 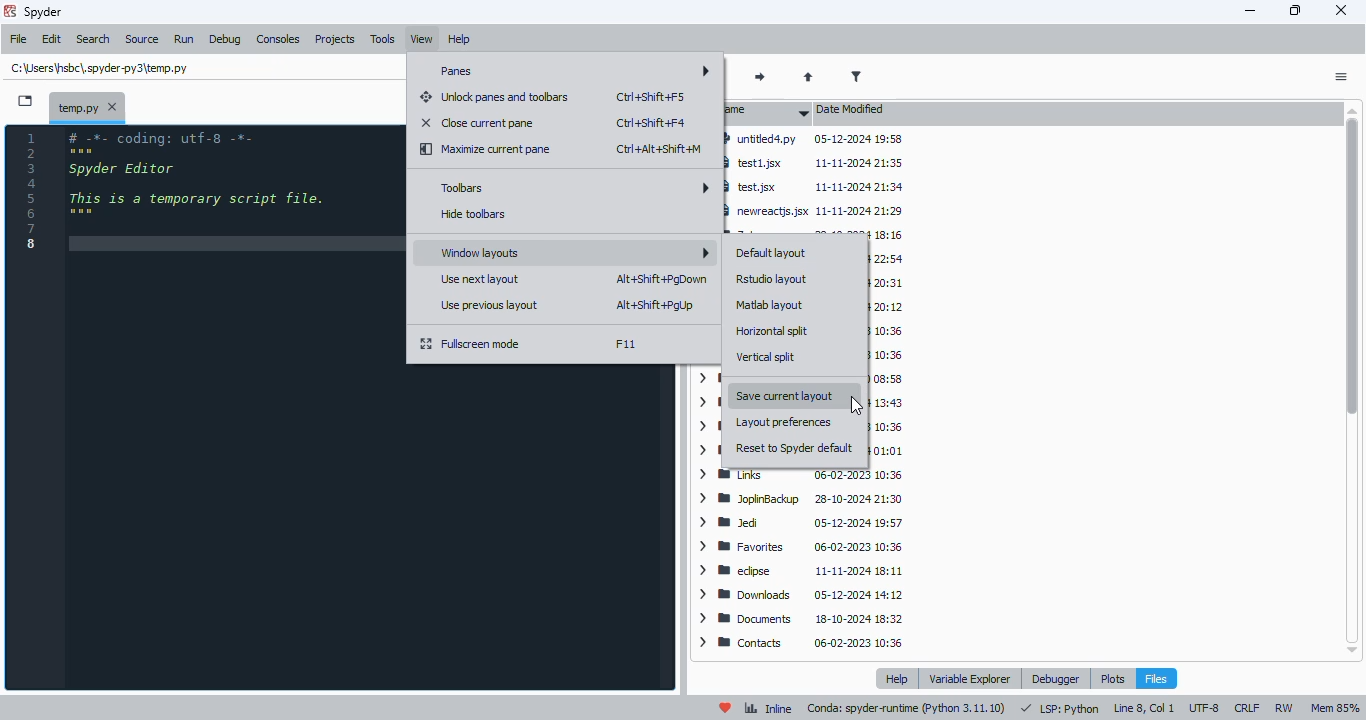 What do you see at coordinates (802, 498) in the screenshot?
I see `JoplinBackup` at bounding box center [802, 498].